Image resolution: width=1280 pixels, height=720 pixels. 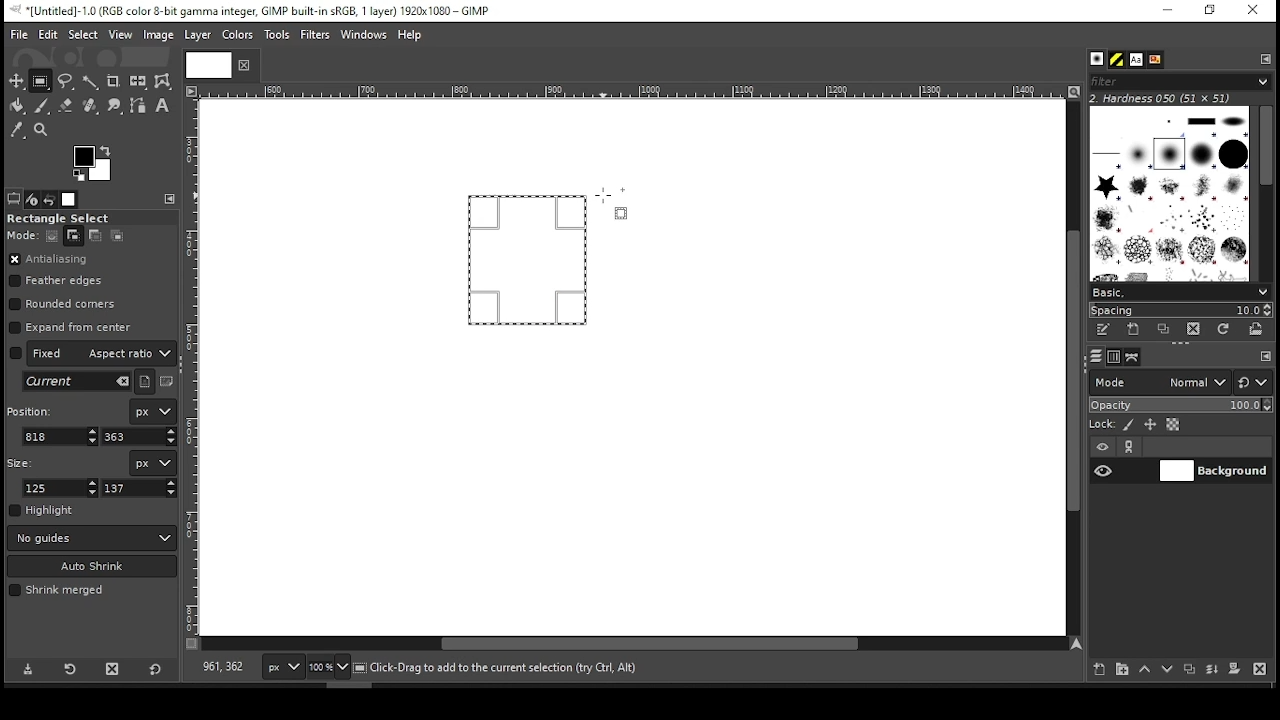 I want to click on free selection tool, so click(x=68, y=82).